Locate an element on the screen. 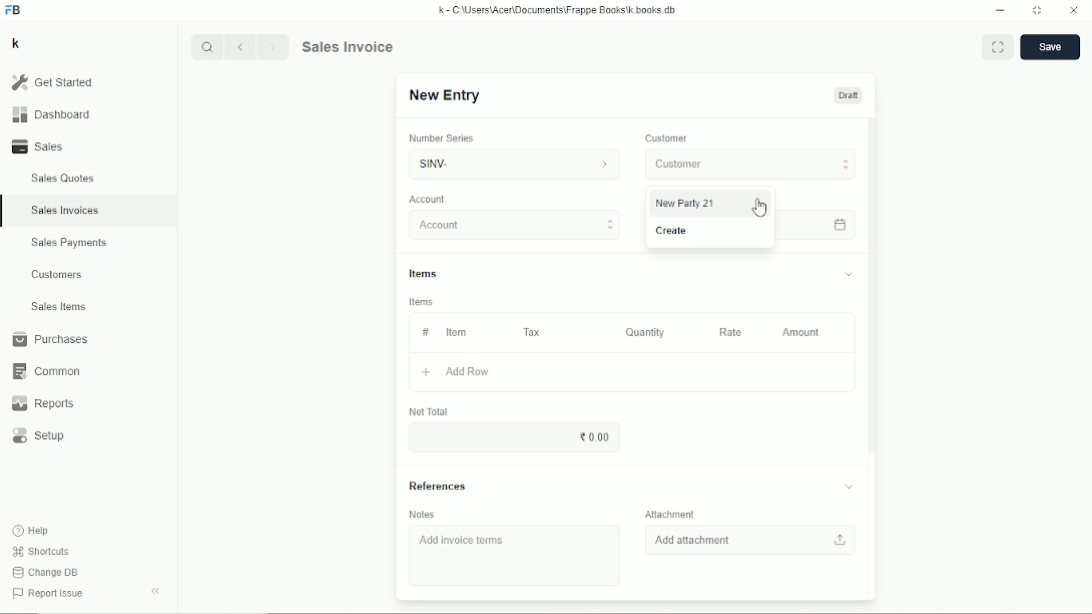 The image size is (1092, 614). k - C\Users\Acer\Documents\Frappe Books\k books db is located at coordinates (559, 9).